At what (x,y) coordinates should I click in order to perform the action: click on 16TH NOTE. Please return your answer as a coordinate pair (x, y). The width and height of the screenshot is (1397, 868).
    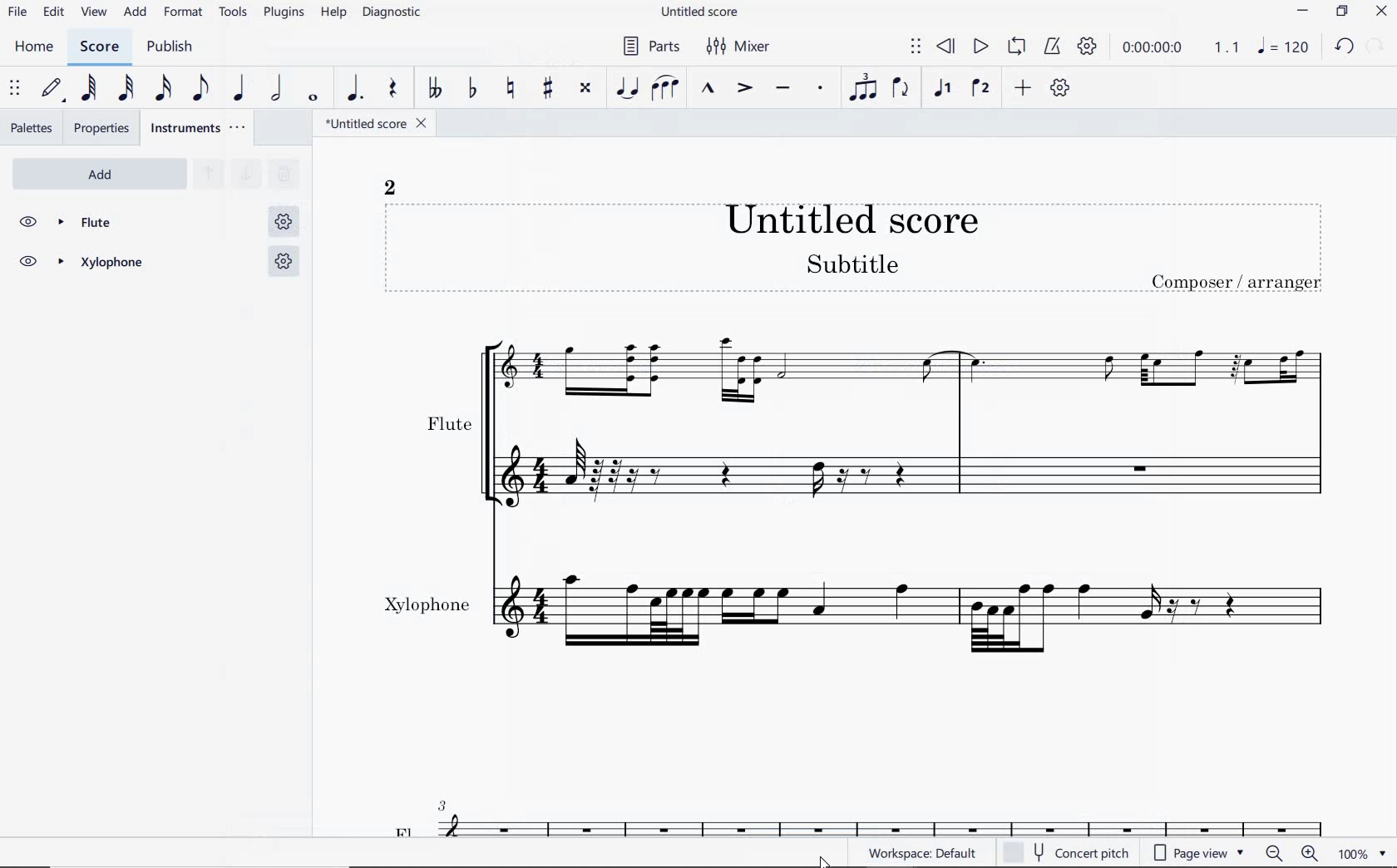
    Looking at the image, I should click on (163, 87).